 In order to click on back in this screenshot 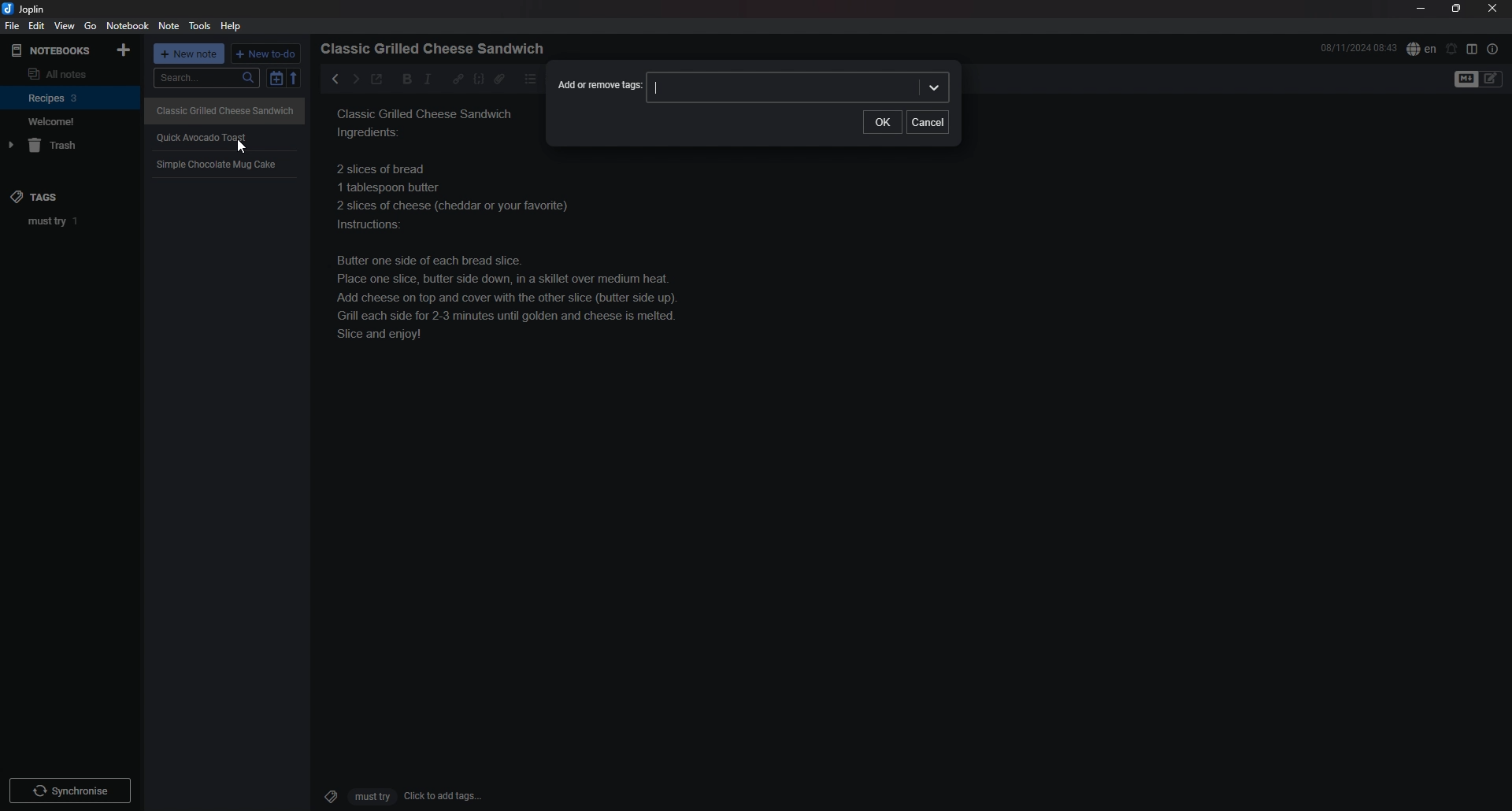, I will do `click(332, 78)`.